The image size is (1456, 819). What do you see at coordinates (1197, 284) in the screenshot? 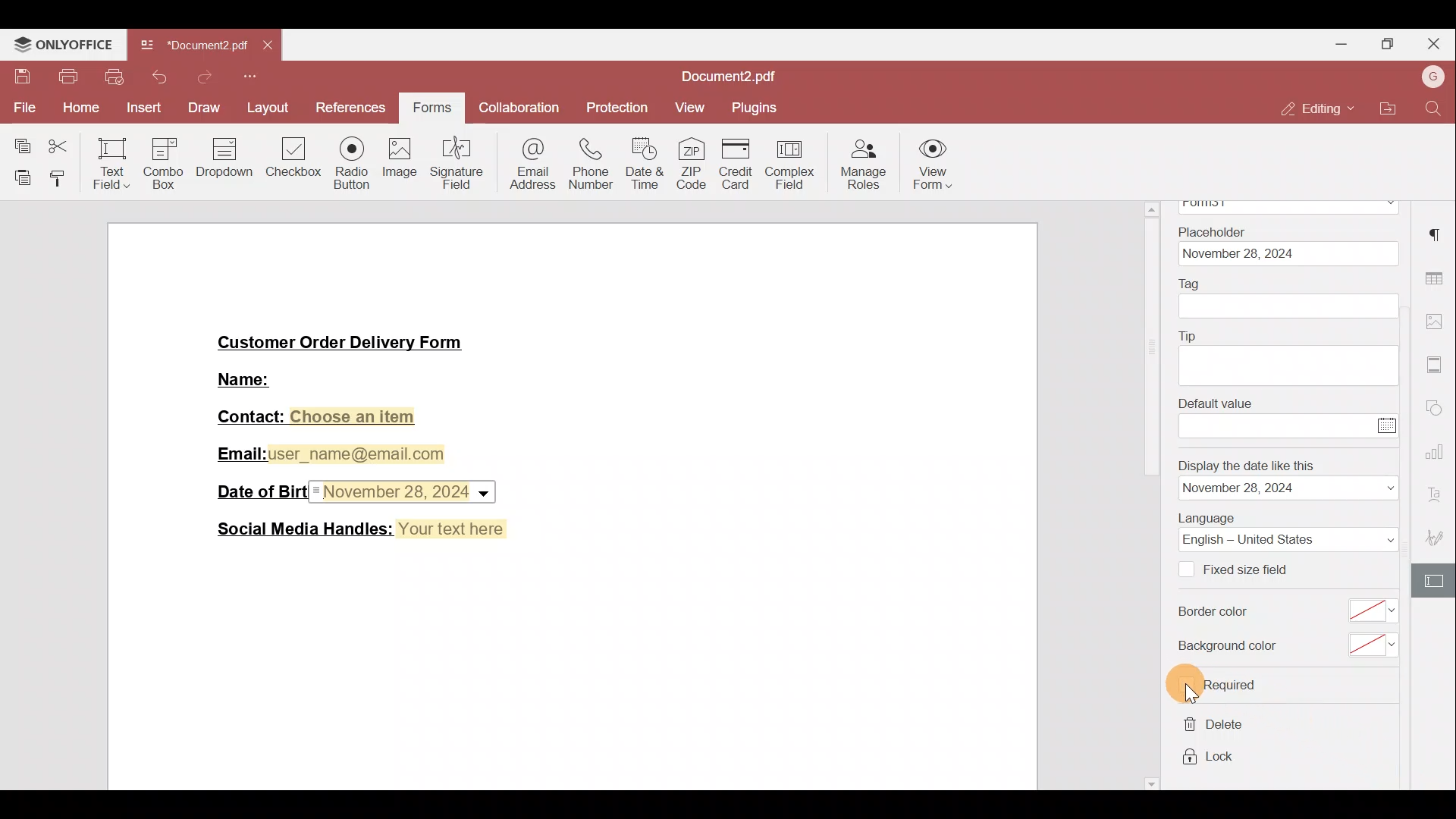
I see `Tag` at bounding box center [1197, 284].